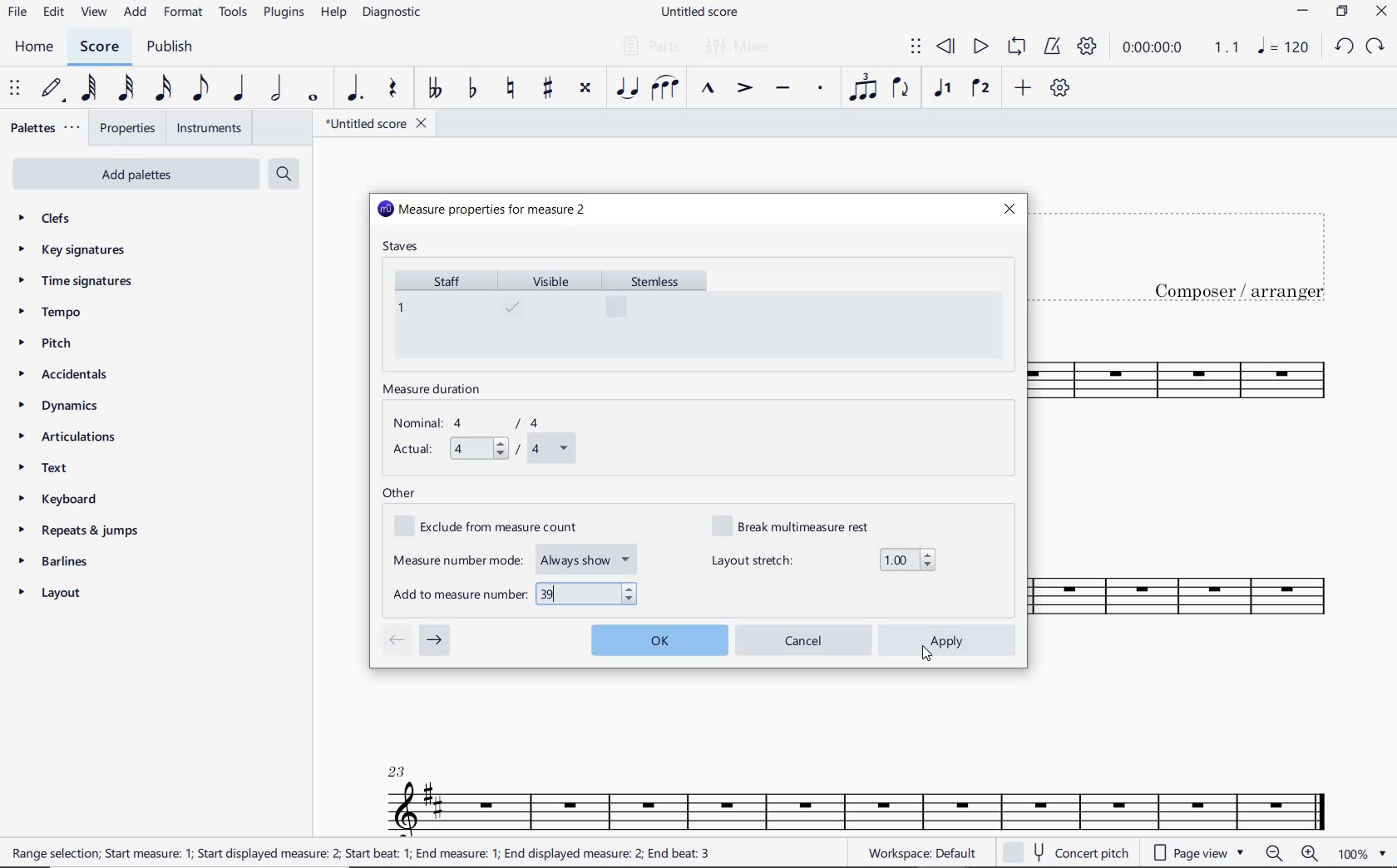  I want to click on zoom factor, so click(1360, 854).